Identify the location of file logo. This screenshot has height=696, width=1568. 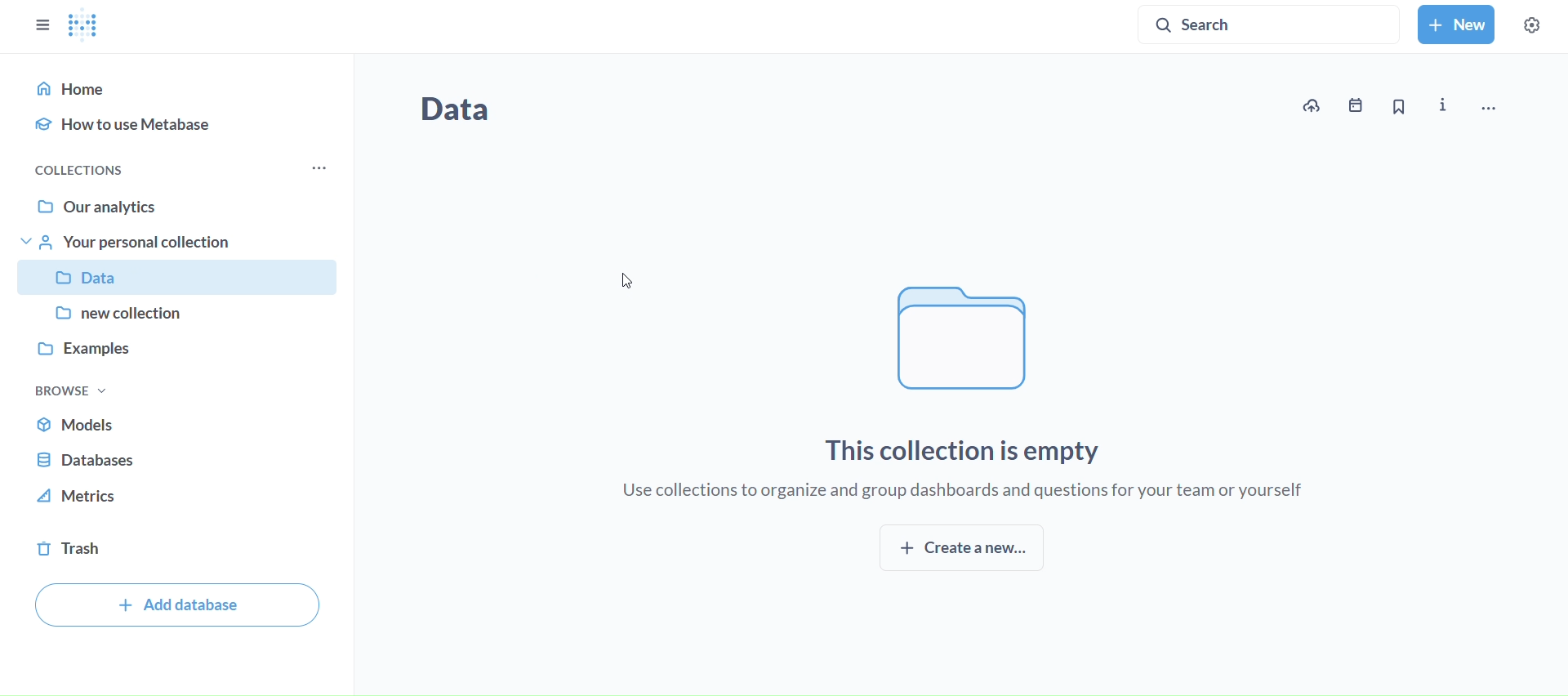
(960, 344).